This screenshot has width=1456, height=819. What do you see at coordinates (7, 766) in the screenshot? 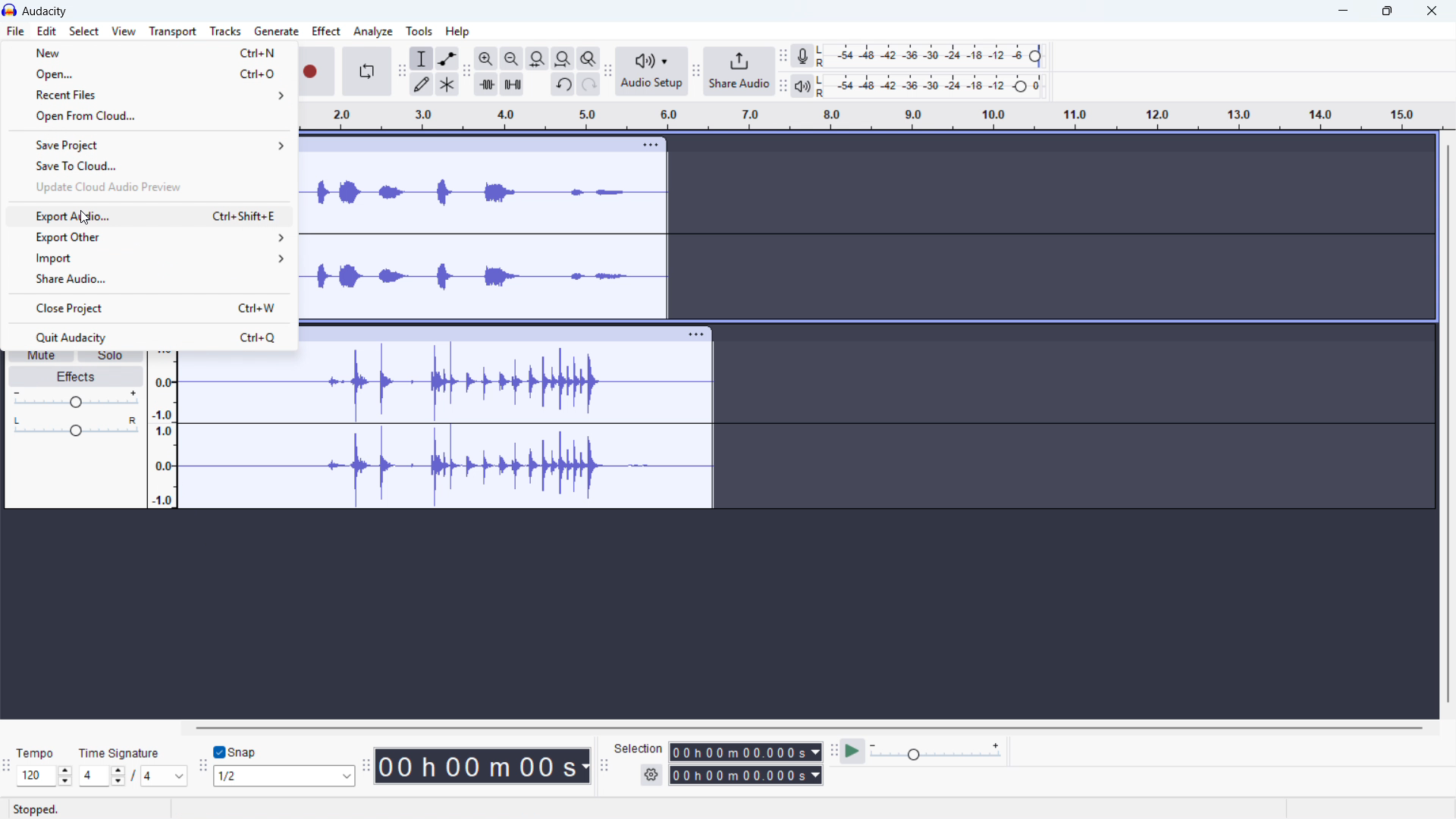
I see `time signature toolbar` at bounding box center [7, 766].